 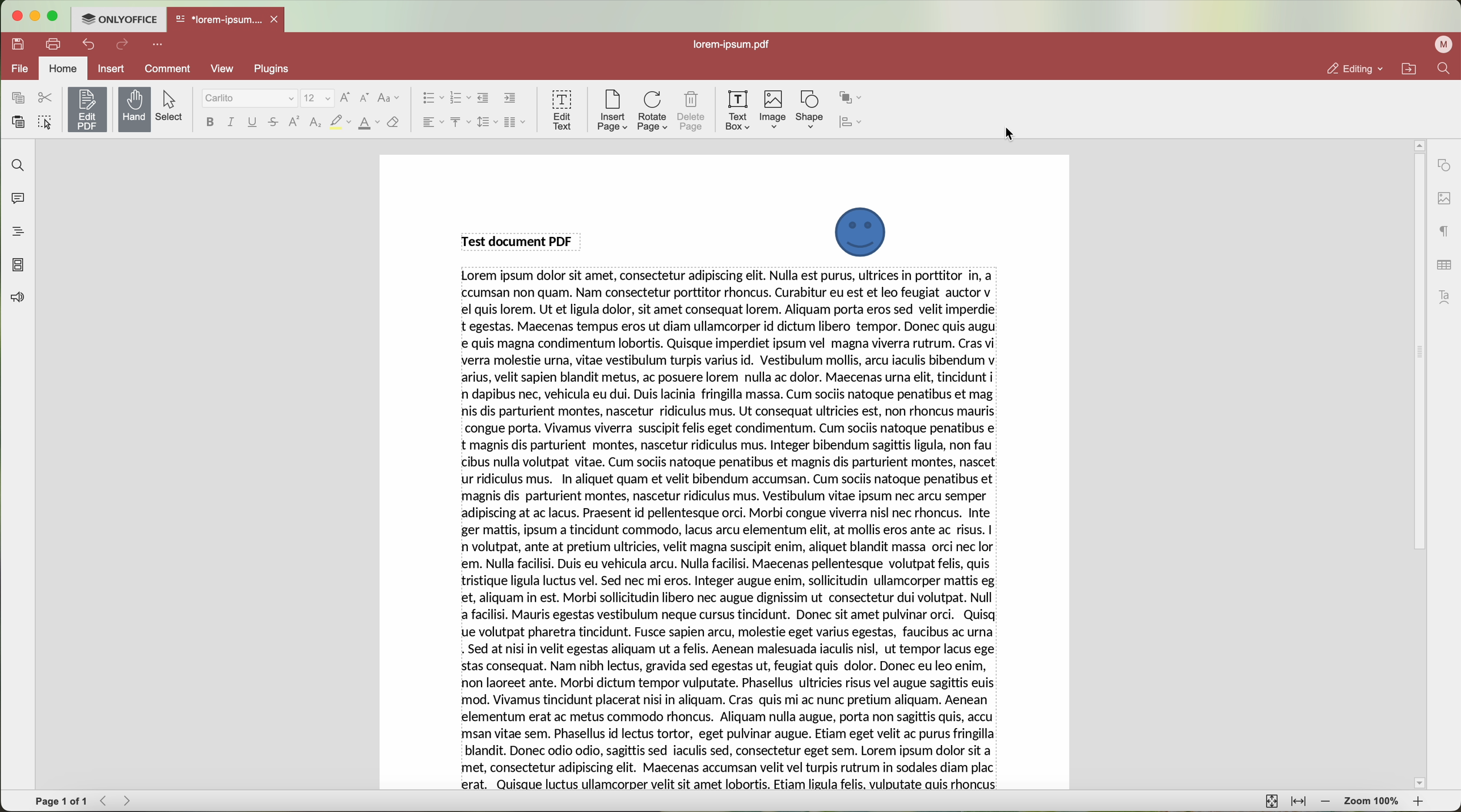 I want to click on zoom out, so click(x=1328, y=803).